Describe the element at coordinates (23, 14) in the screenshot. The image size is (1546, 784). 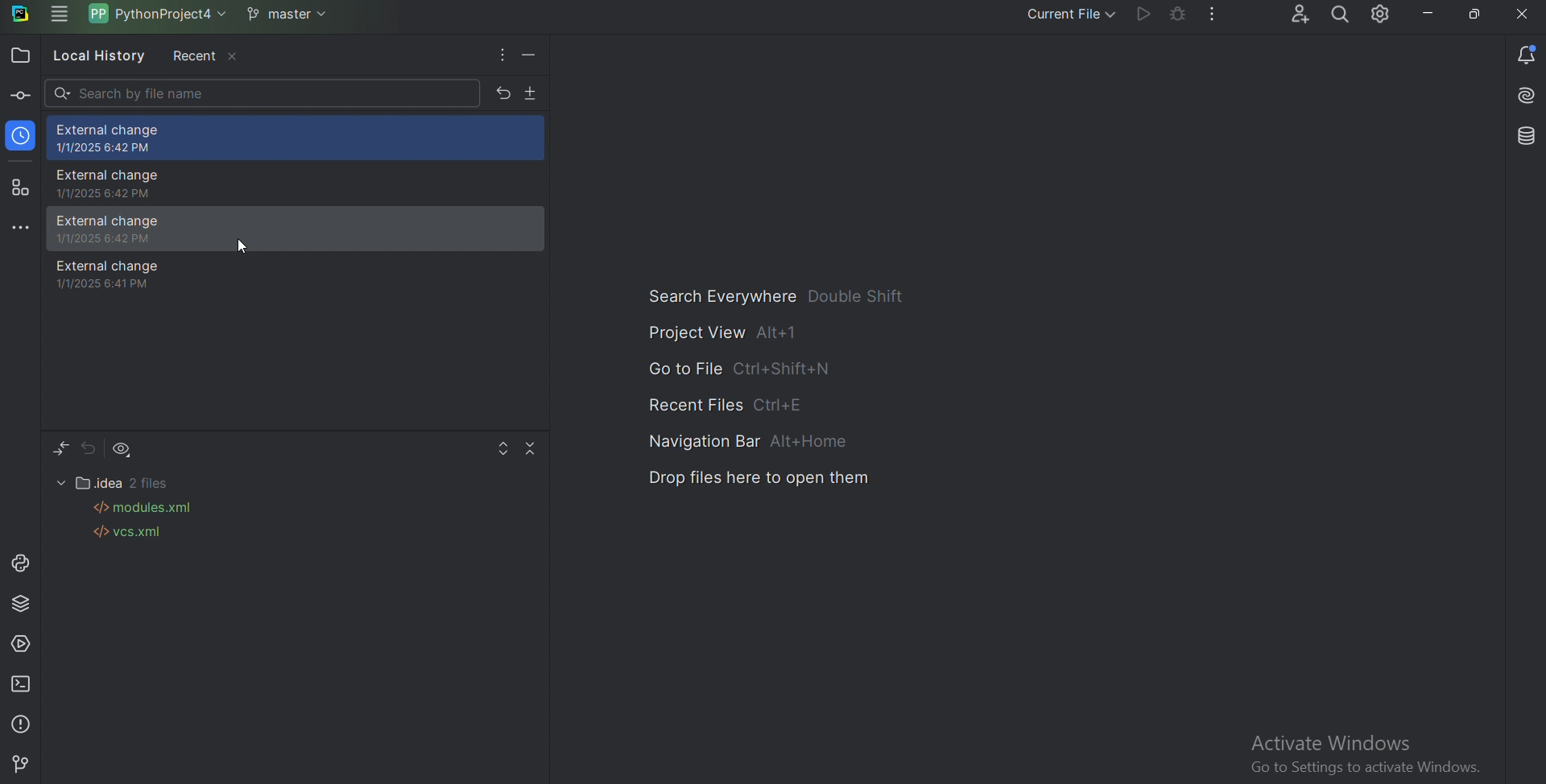
I see `pycharm` at that location.